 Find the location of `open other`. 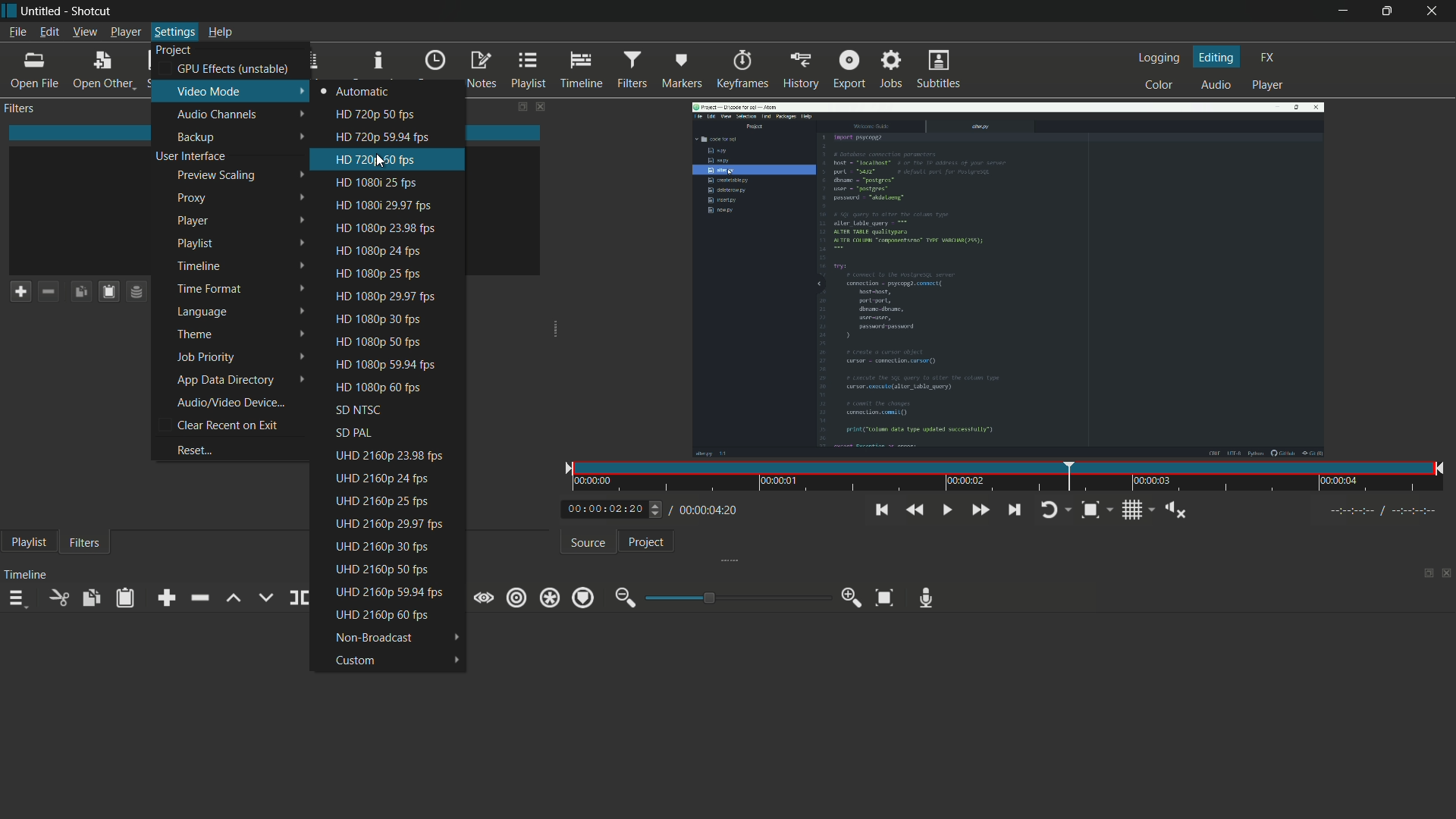

open other is located at coordinates (102, 70).